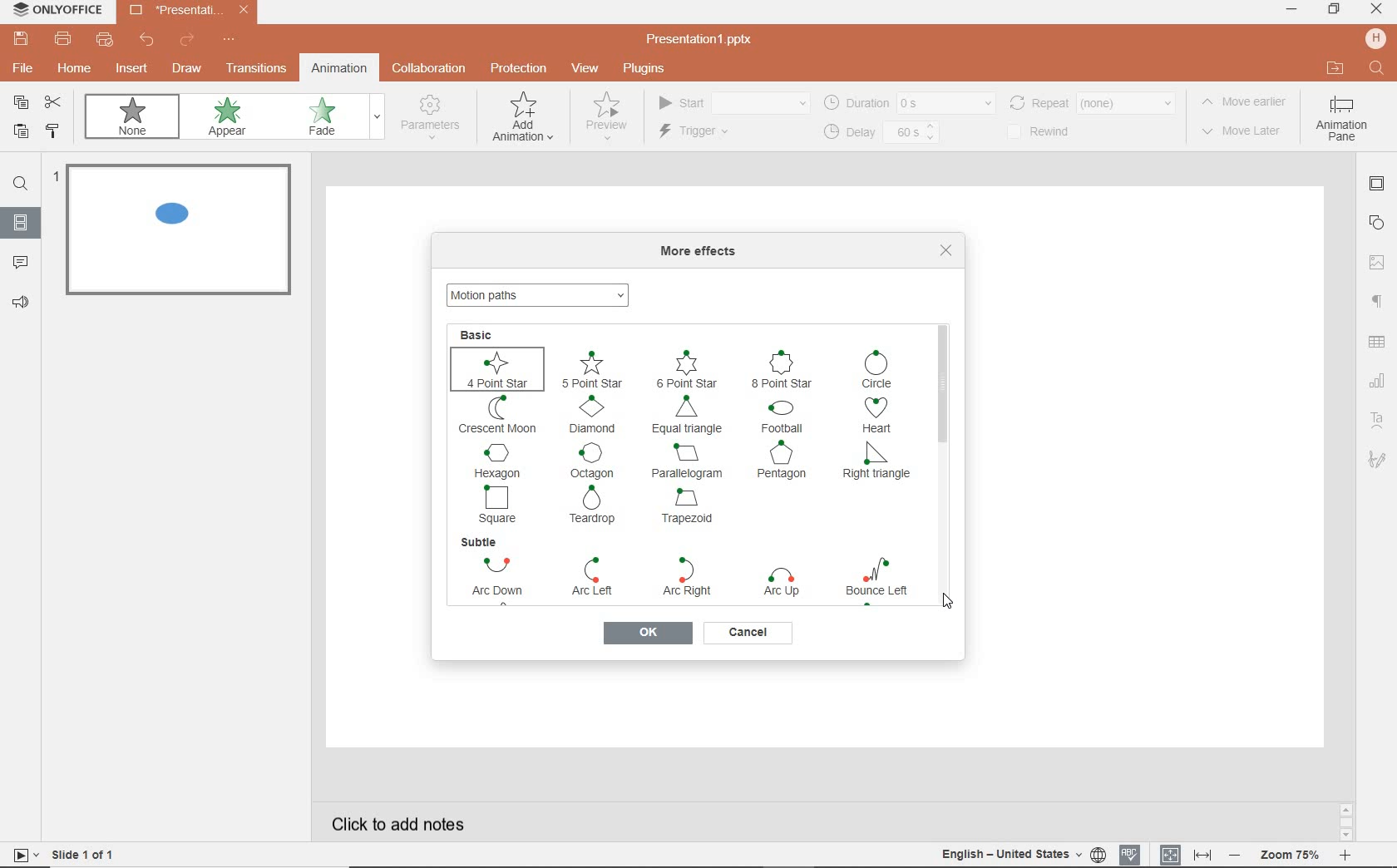 The width and height of the screenshot is (1397, 868). I want to click on ARC RIGHT, so click(683, 577).